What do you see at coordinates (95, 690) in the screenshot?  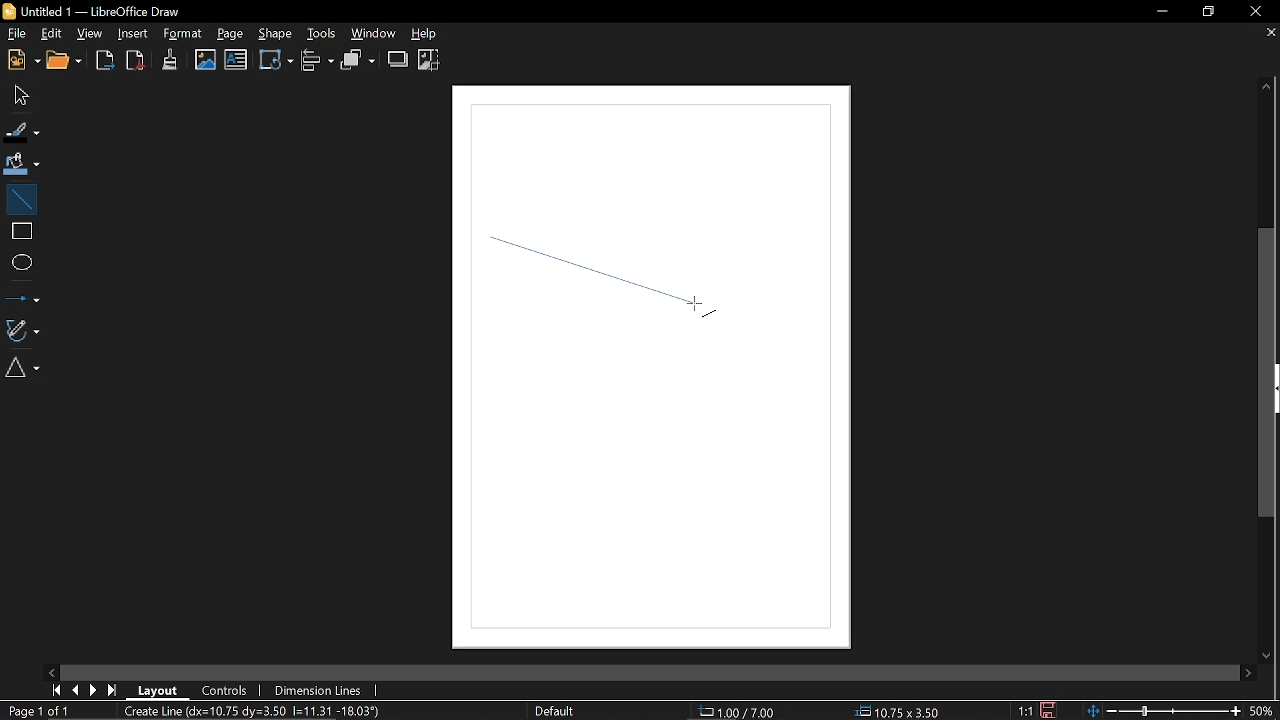 I see `NExt page` at bounding box center [95, 690].